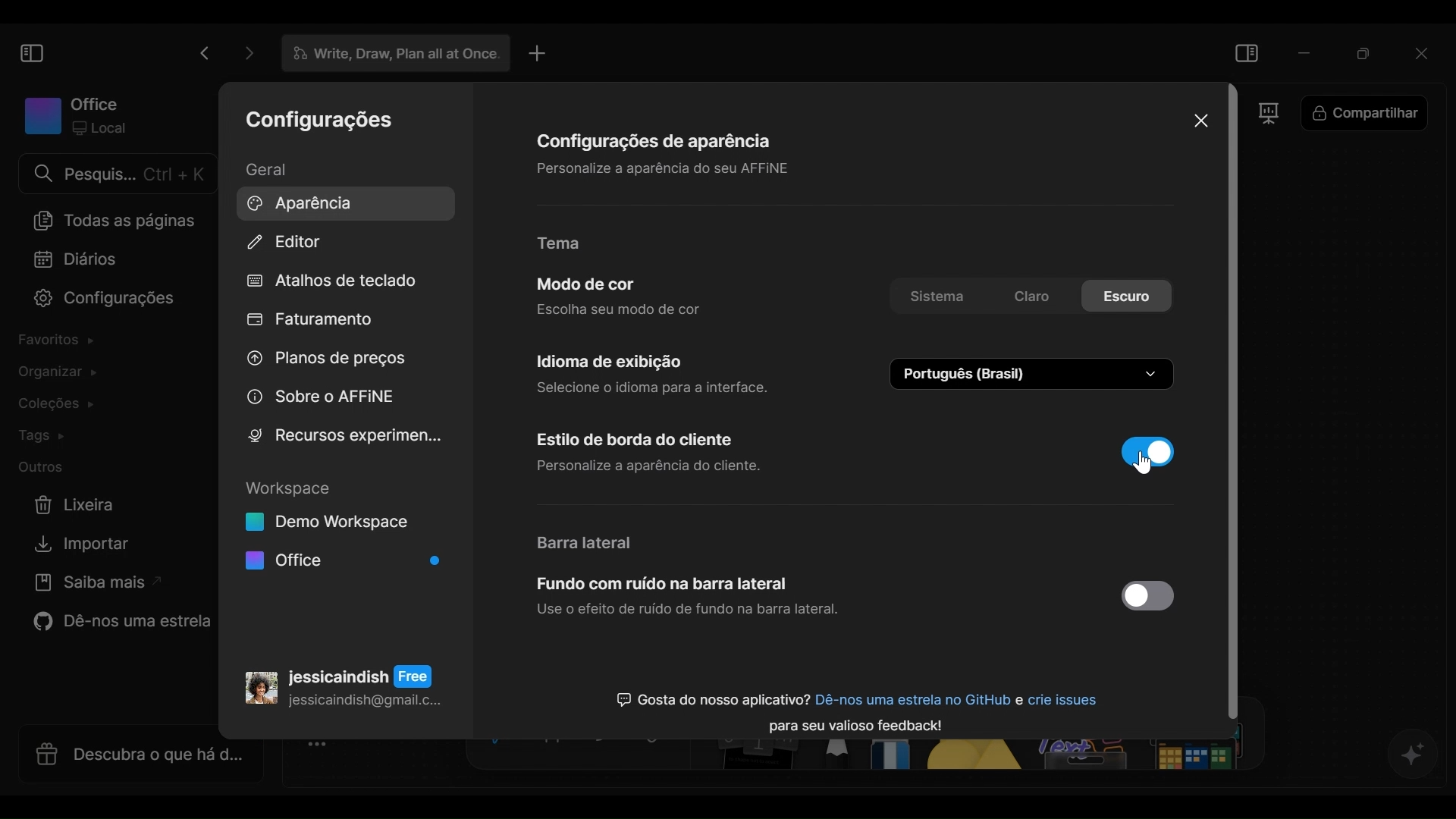  Describe the element at coordinates (322, 755) in the screenshot. I see `Toggle Zoom Tool bar` at that location.